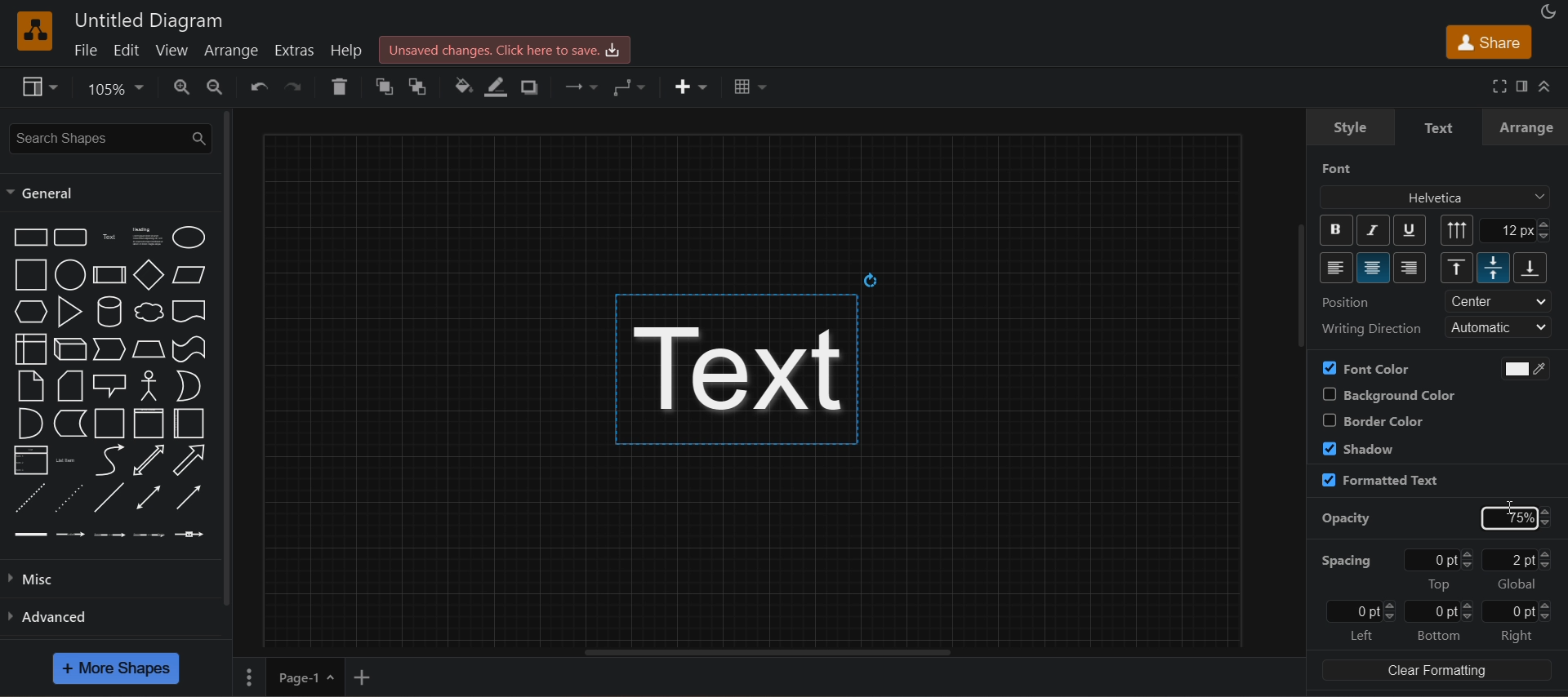 The image size is (1568, 697). What do you see at coordinates (1458, 230) in the screenshot?
I see `vertical` at bounding box center [1458, 230].